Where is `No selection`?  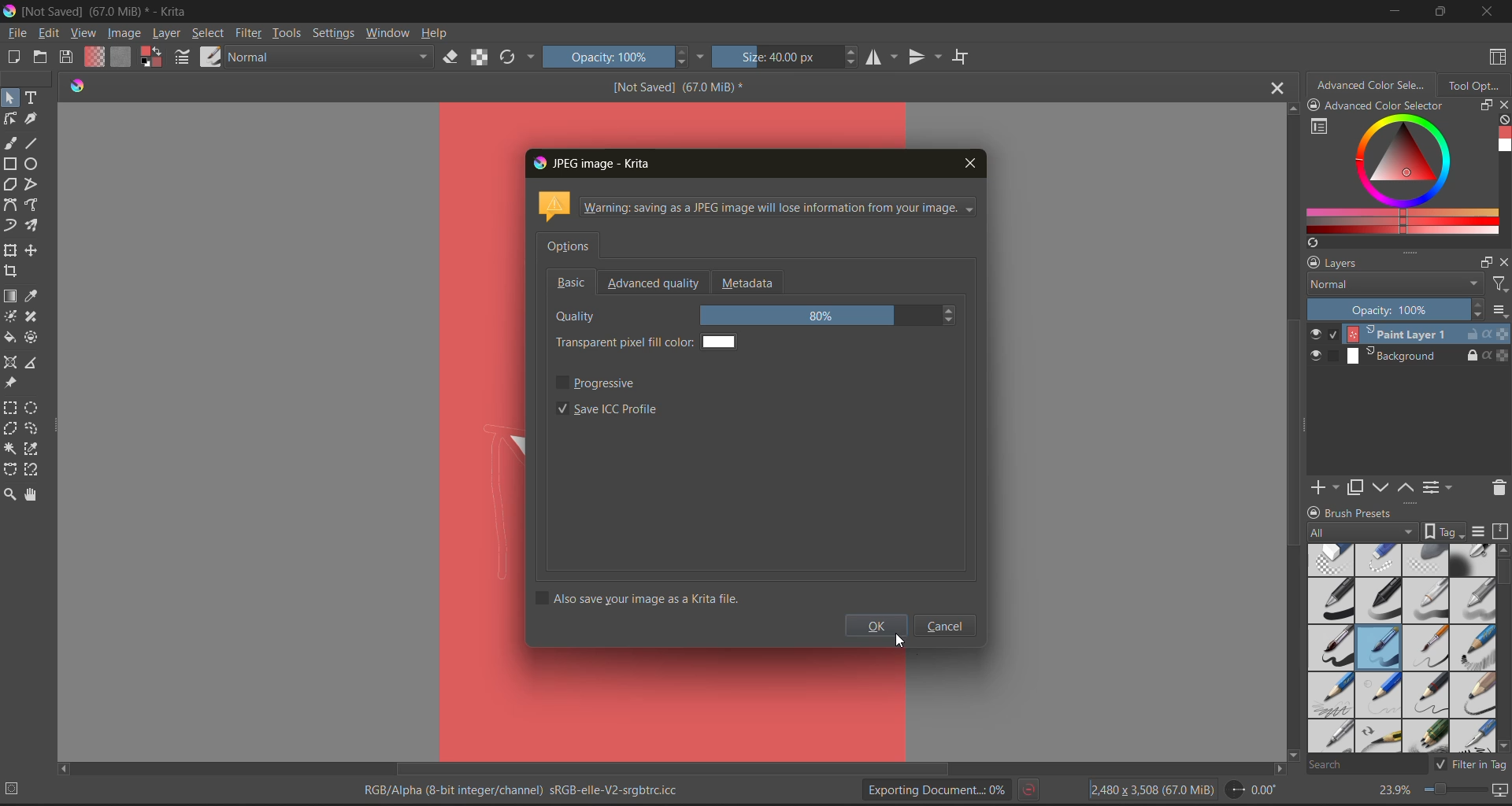
No selection is located at coordinates (17, 789).